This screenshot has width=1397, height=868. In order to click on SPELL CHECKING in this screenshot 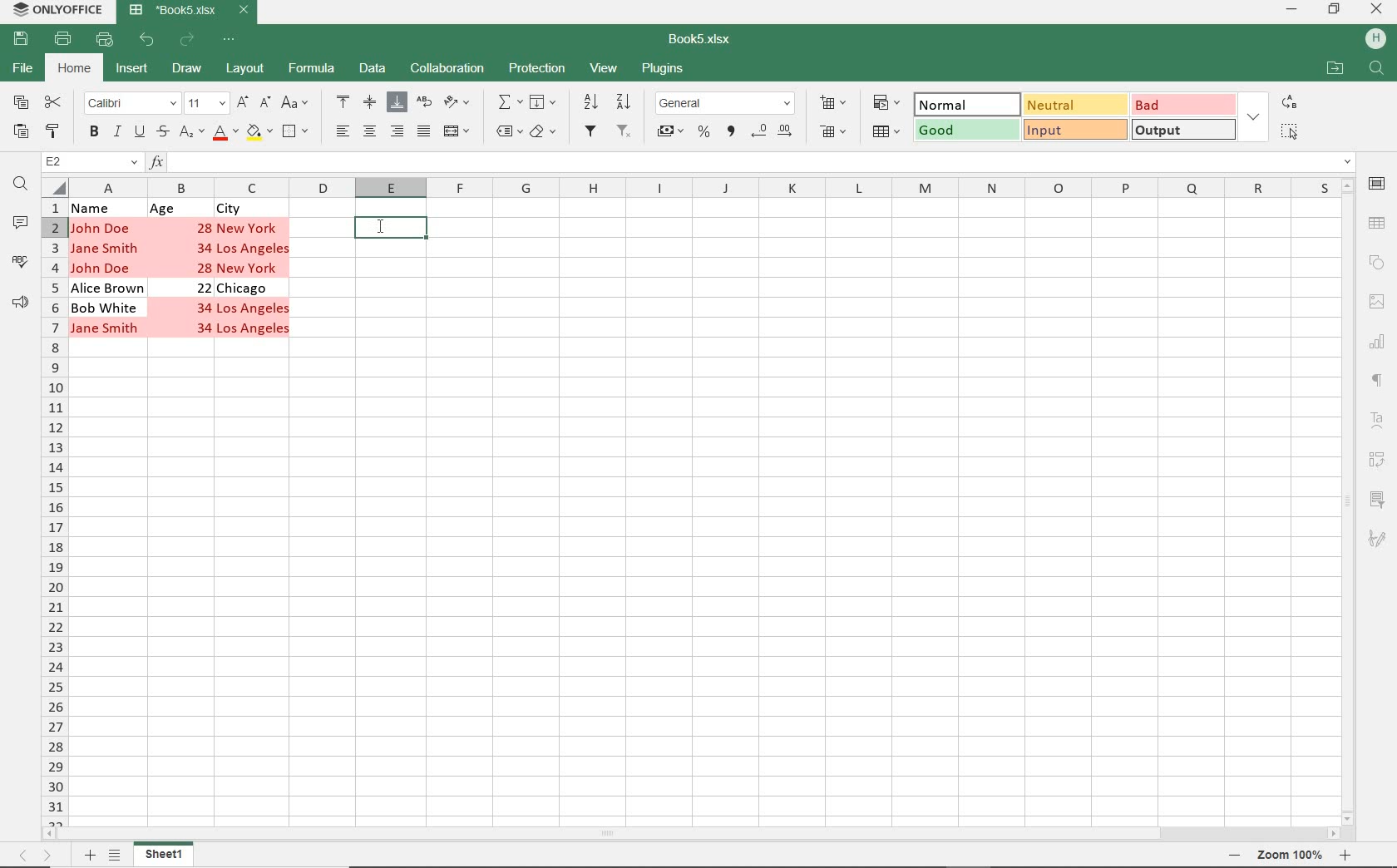, I will do `click(24, 260)`.